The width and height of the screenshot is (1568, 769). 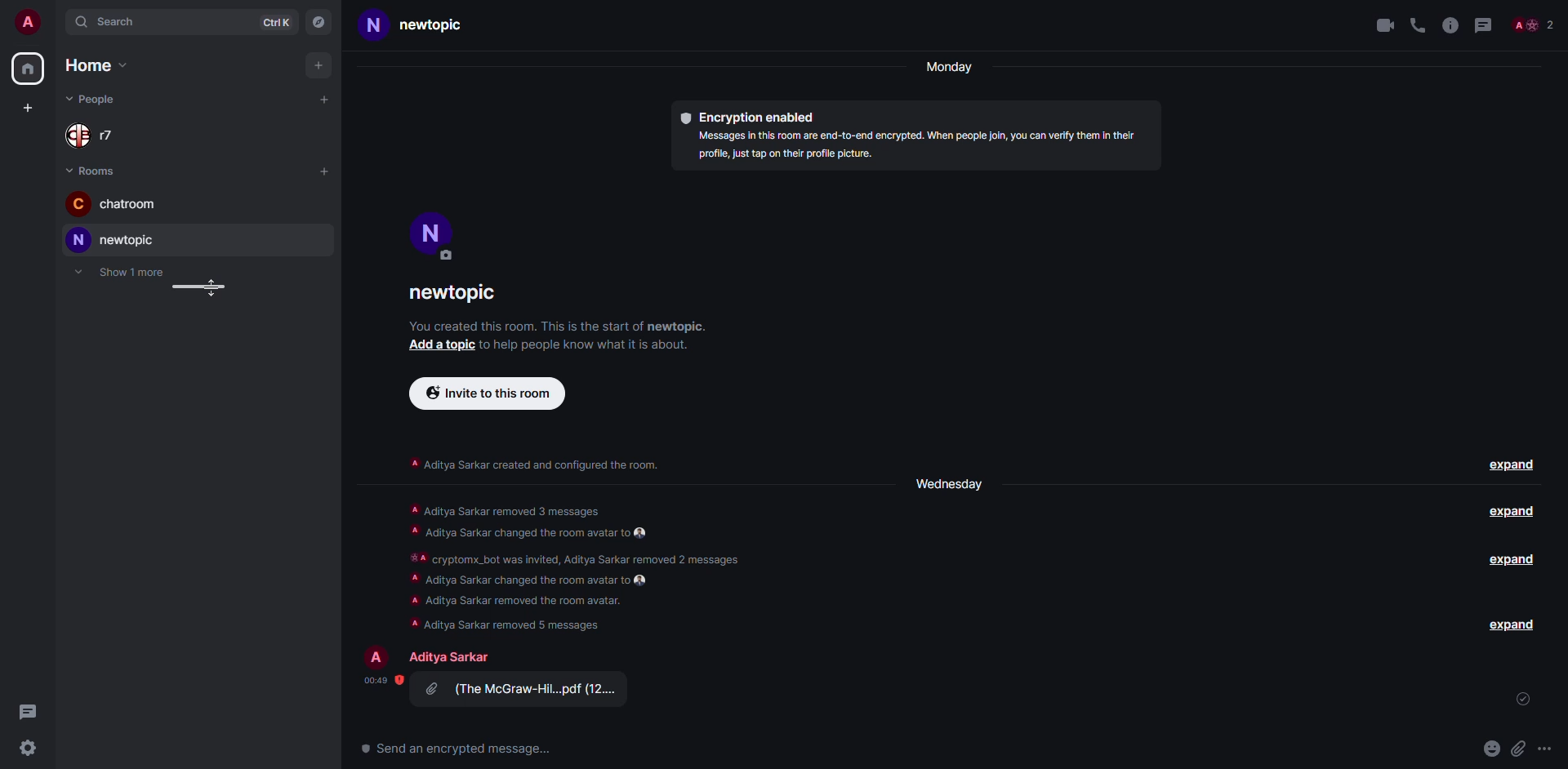 What do you see at coordinates (448, 657) in the screenshot?
I see `Aditya sarkar` at bounding box center [448, 657].